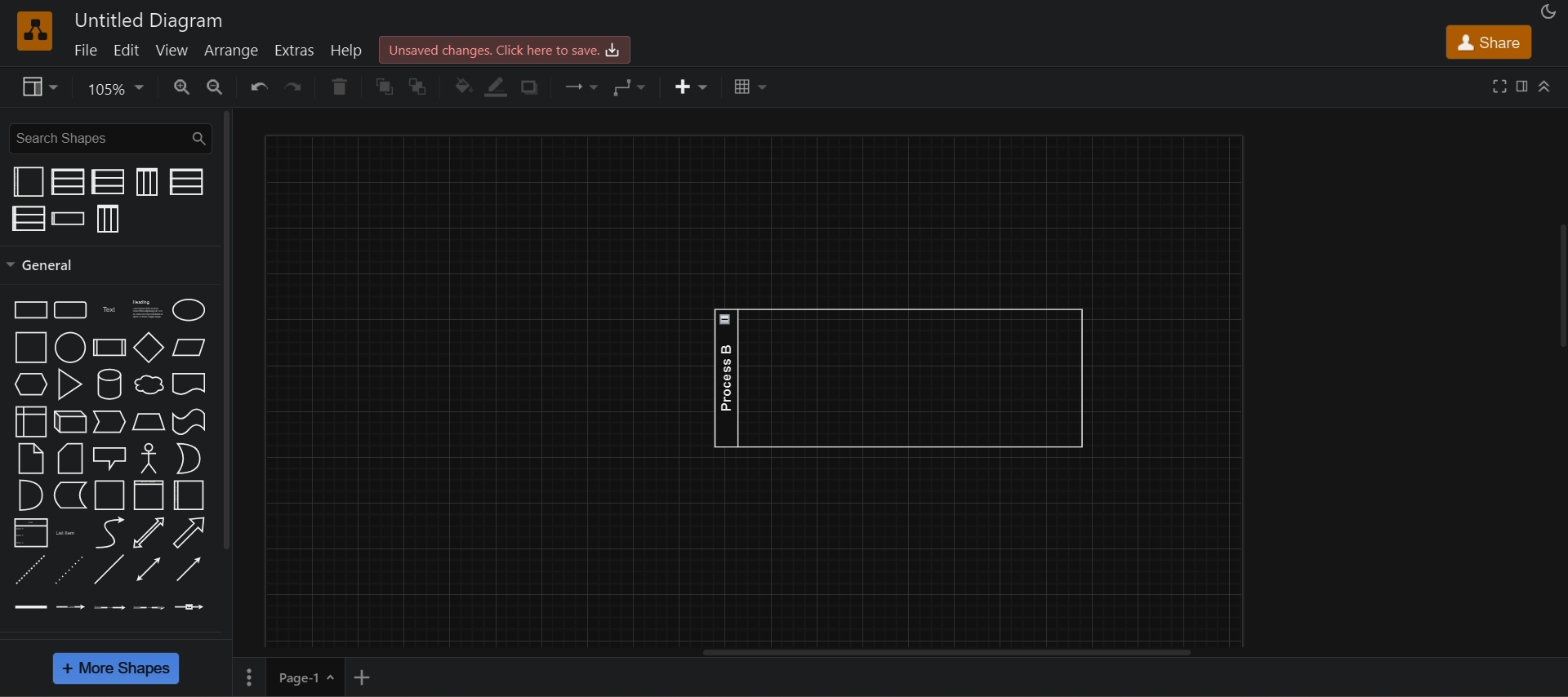 The width and height of the screenshot is (1568, 697). What do you see at coordinates (584, 87) in the screenshot?
I see `connection` at bounding box center [584, 87].